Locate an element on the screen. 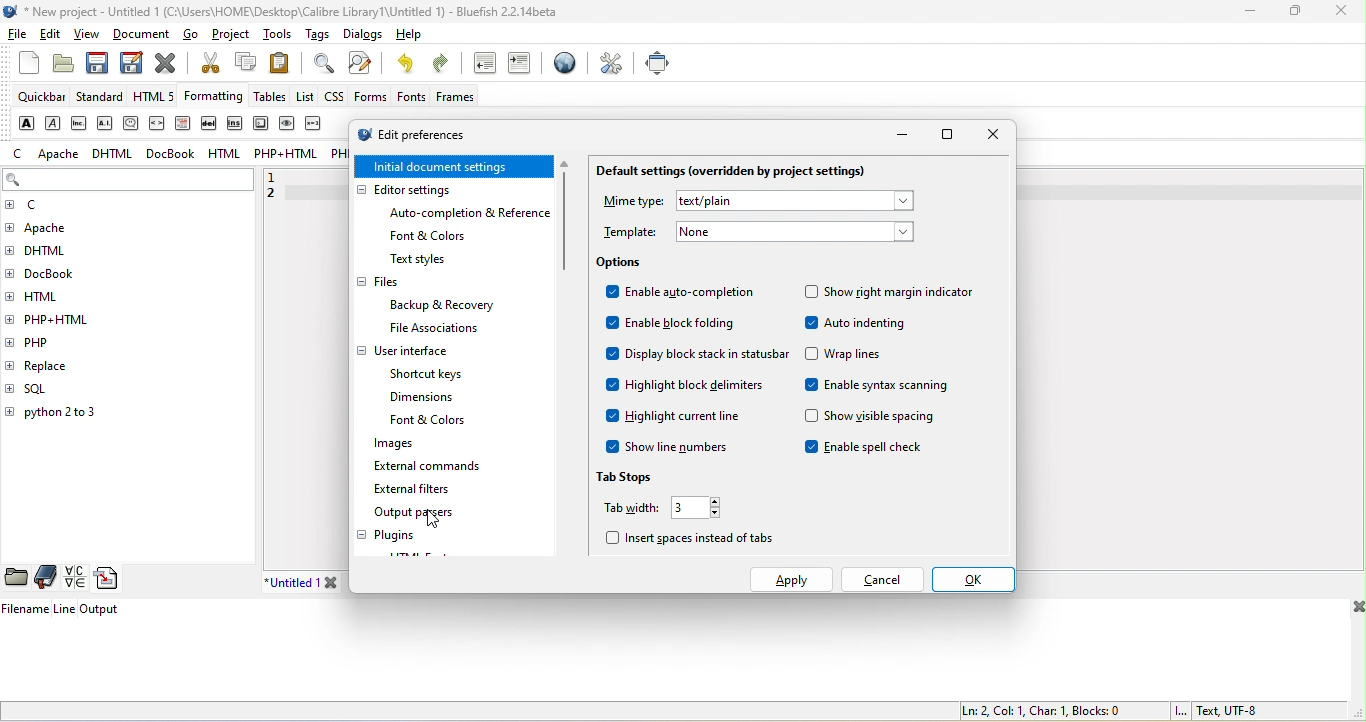  cursor movement is located at coordinates (436, 521).